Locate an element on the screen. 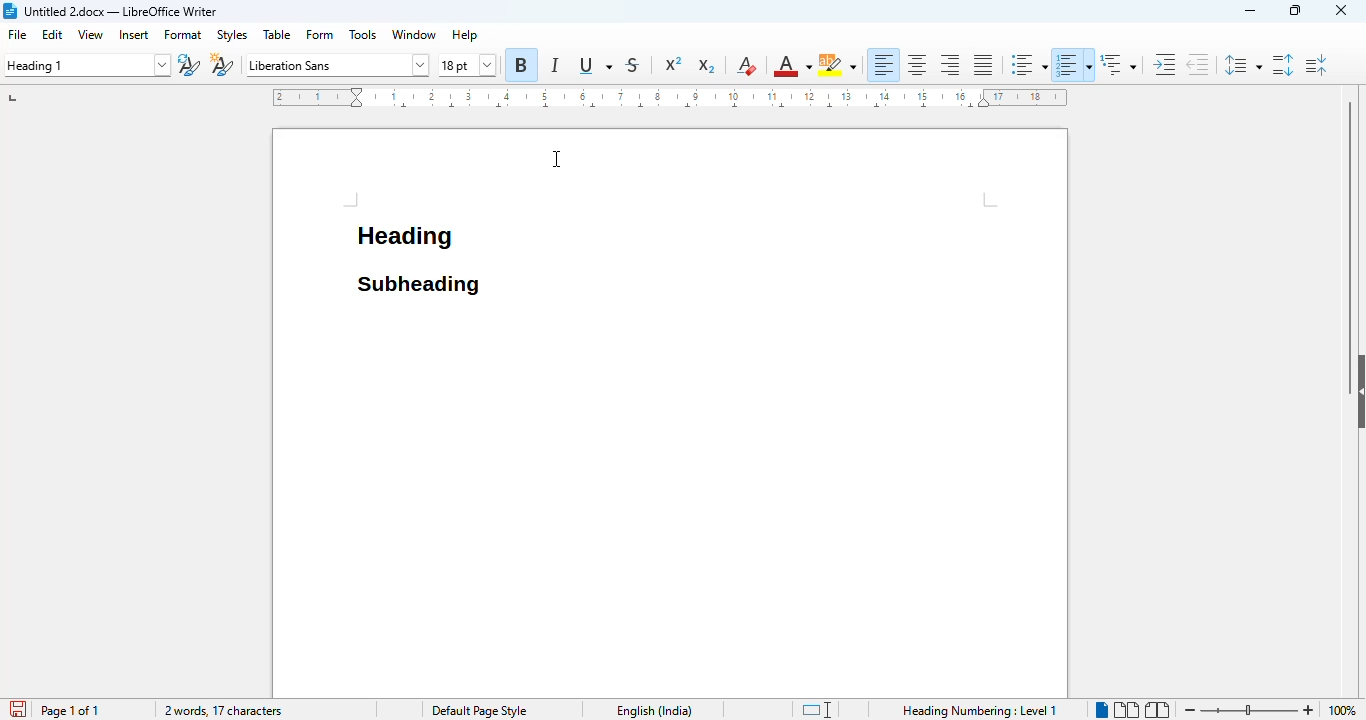 This screenshot has height=720, width=1366. ruler is located at coordinates (668, 97).